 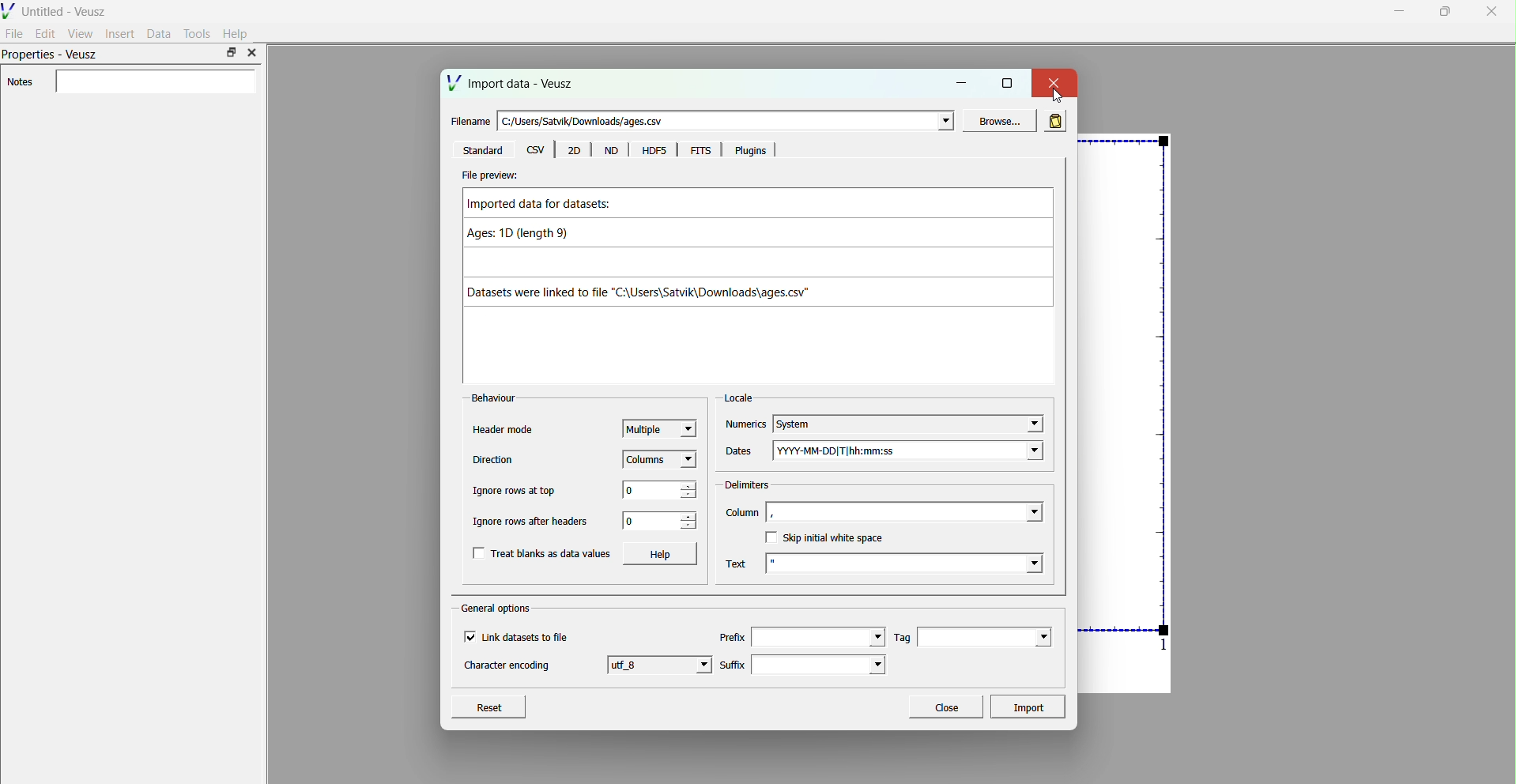 I want to click on Plugins, so click(x=752, y=151).